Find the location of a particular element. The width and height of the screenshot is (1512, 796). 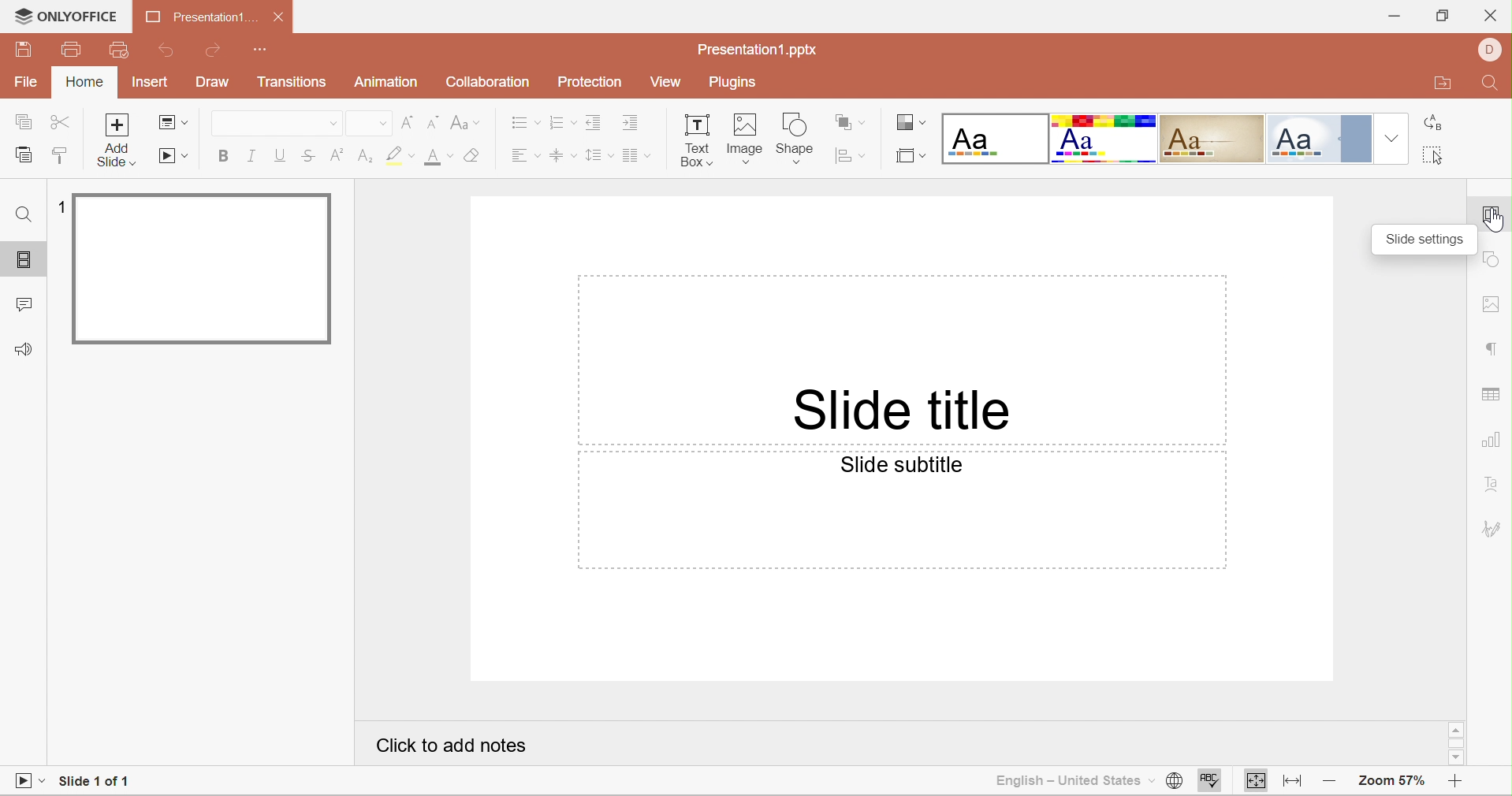

Close is located at coordinates (1491, 16).